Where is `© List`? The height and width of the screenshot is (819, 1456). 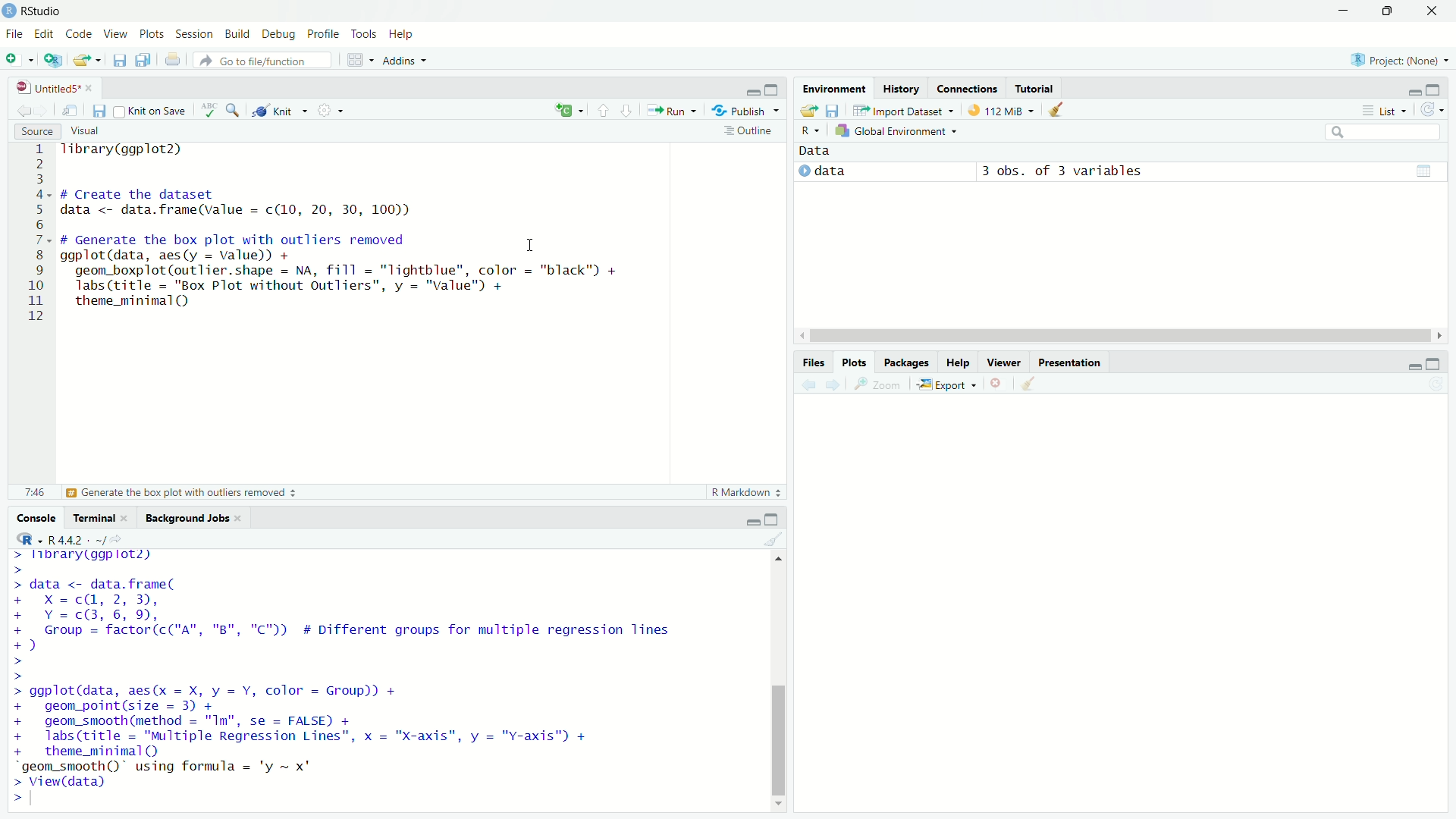
© List is located at coordinates (1385, 110).